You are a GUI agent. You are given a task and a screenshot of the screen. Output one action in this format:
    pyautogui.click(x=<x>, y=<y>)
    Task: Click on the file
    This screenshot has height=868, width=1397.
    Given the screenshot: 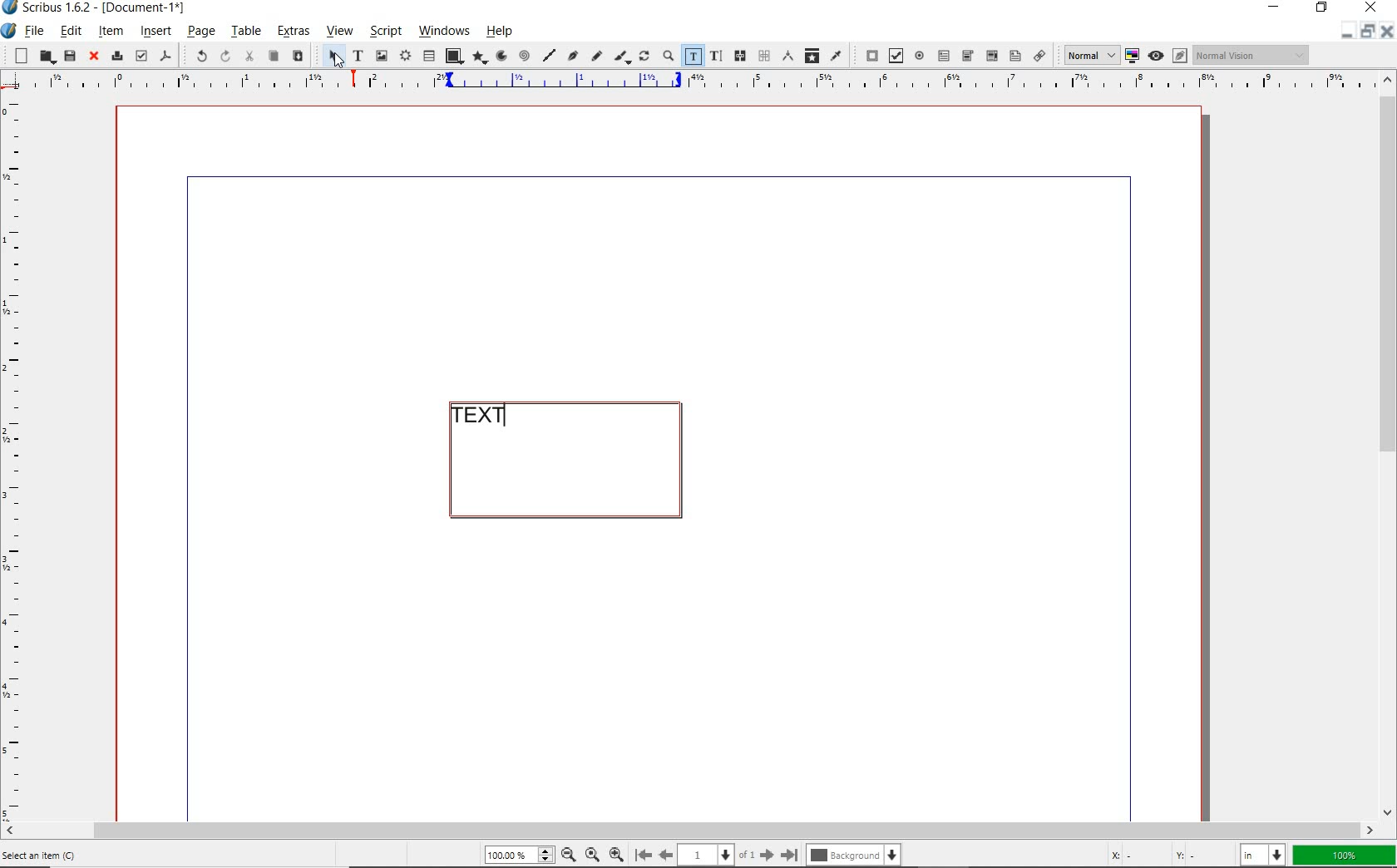 What is the action you would take?
    pyautogui.click(x=34, y=31)
    